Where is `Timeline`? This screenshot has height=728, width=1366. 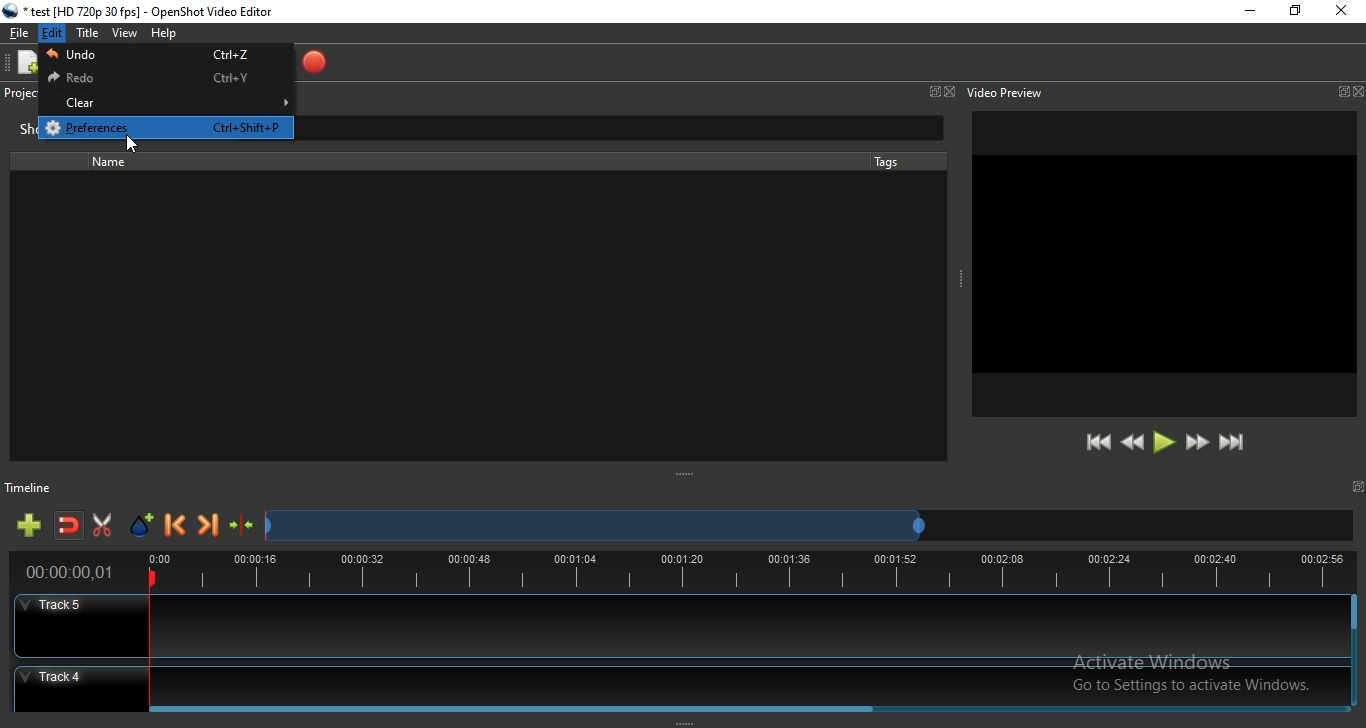
Timeline is located at coordinates (682, 574).